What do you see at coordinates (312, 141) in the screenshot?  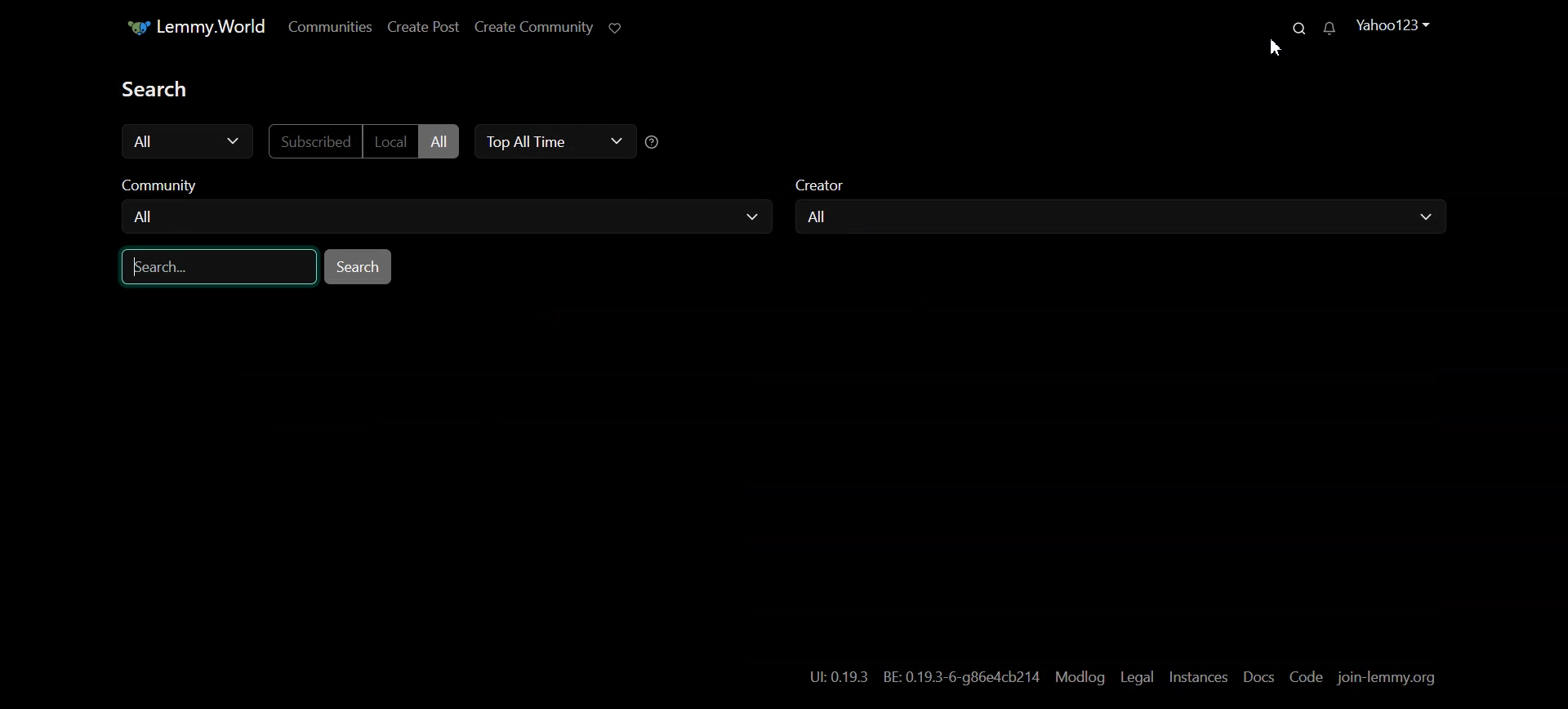 I see `Subscribed` at bounding box center [312, 141].